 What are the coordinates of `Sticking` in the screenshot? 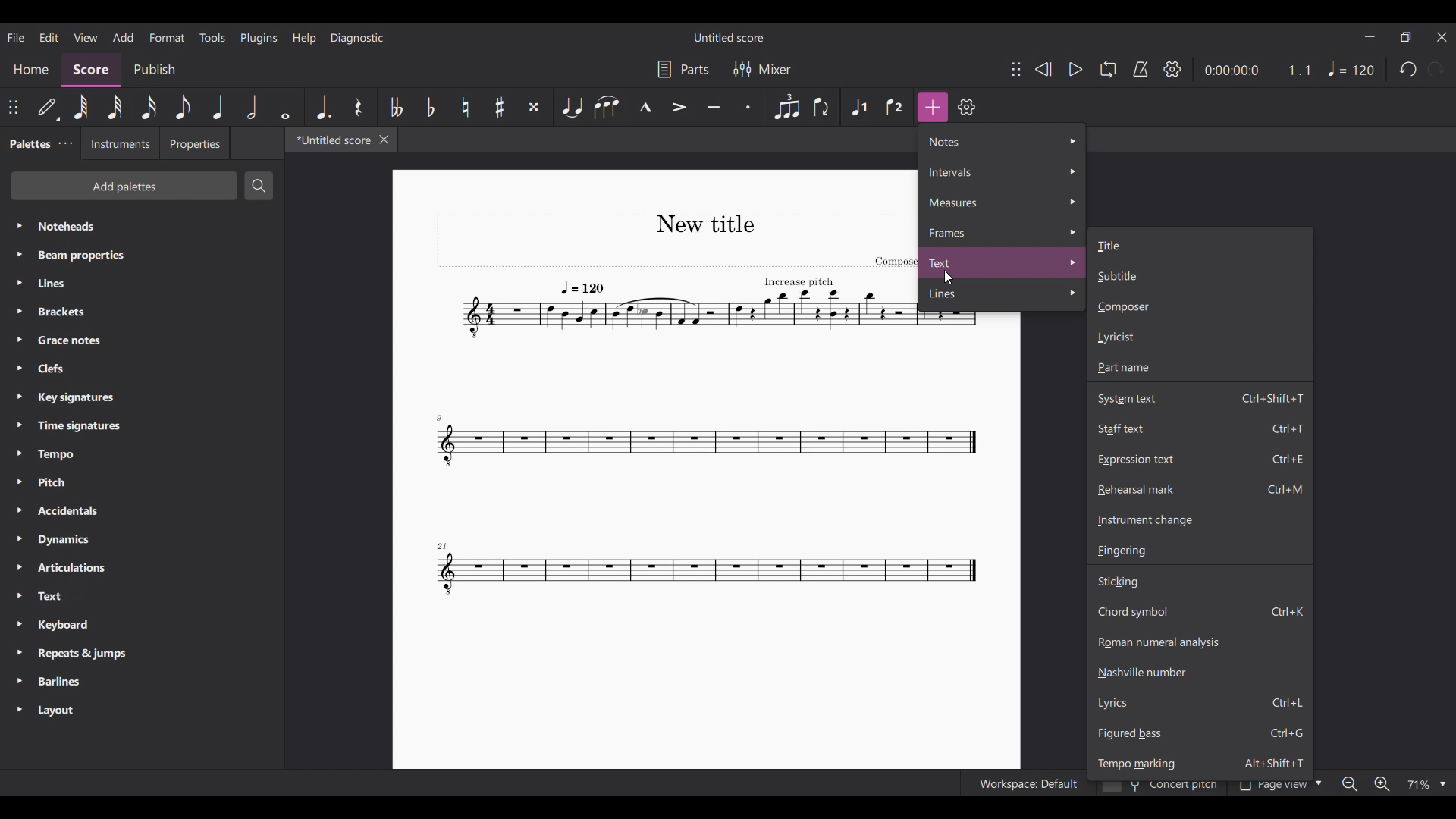 It's located at (1200, 582).